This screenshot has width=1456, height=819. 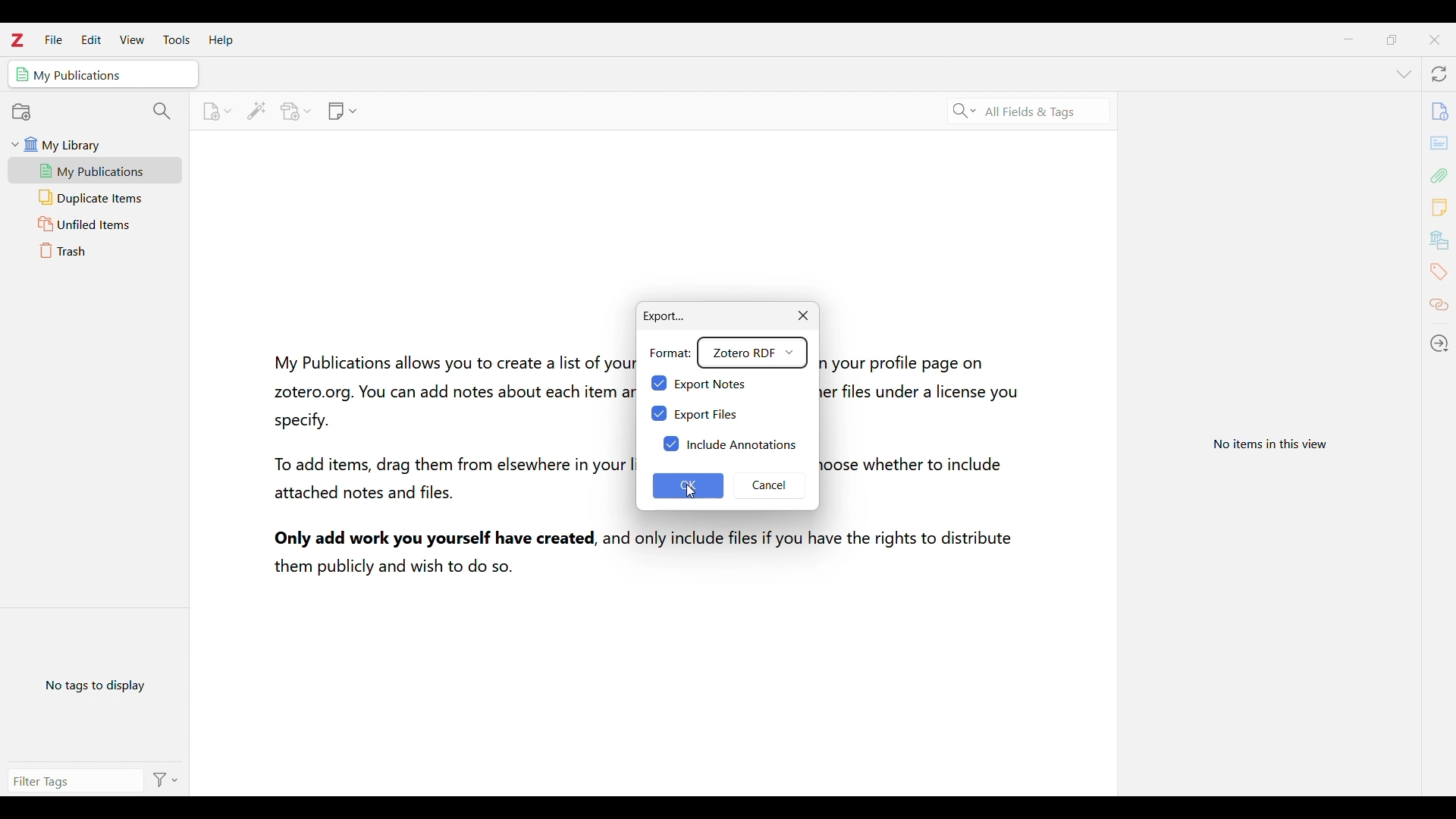 I want to click on Minimize, so click(x=1348, y=39).